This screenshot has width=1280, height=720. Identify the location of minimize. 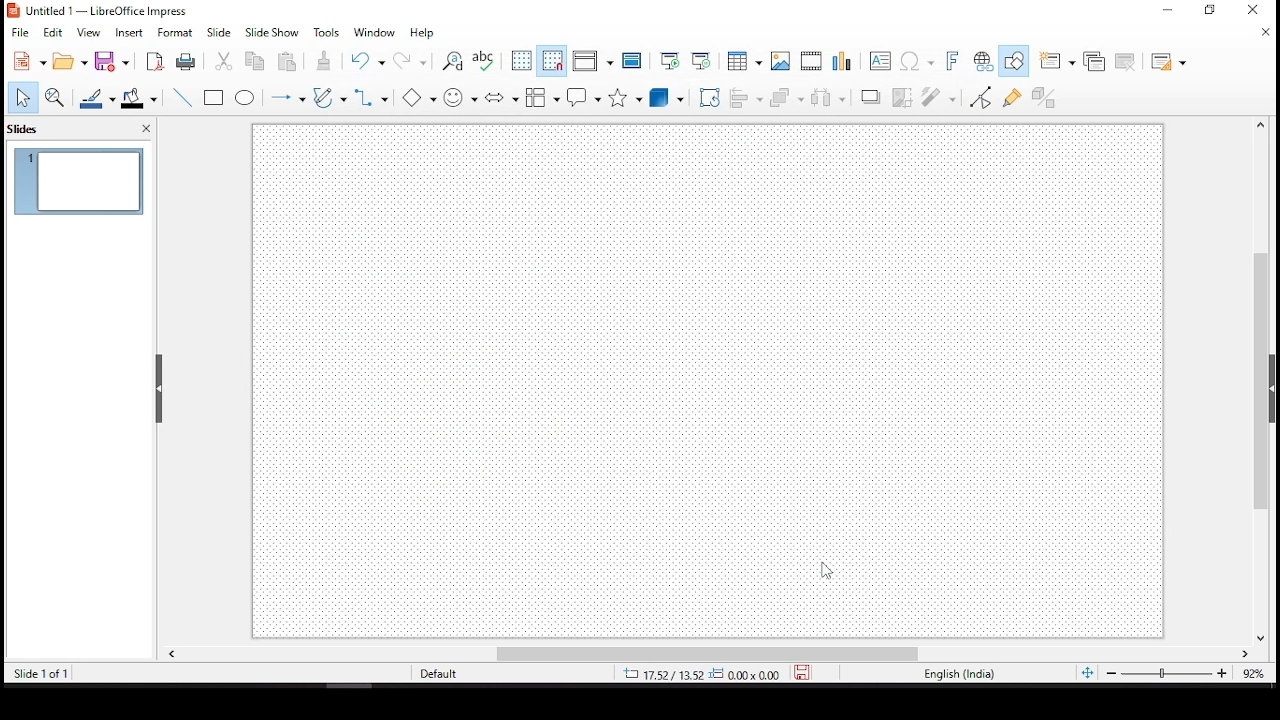
(1168, 9).